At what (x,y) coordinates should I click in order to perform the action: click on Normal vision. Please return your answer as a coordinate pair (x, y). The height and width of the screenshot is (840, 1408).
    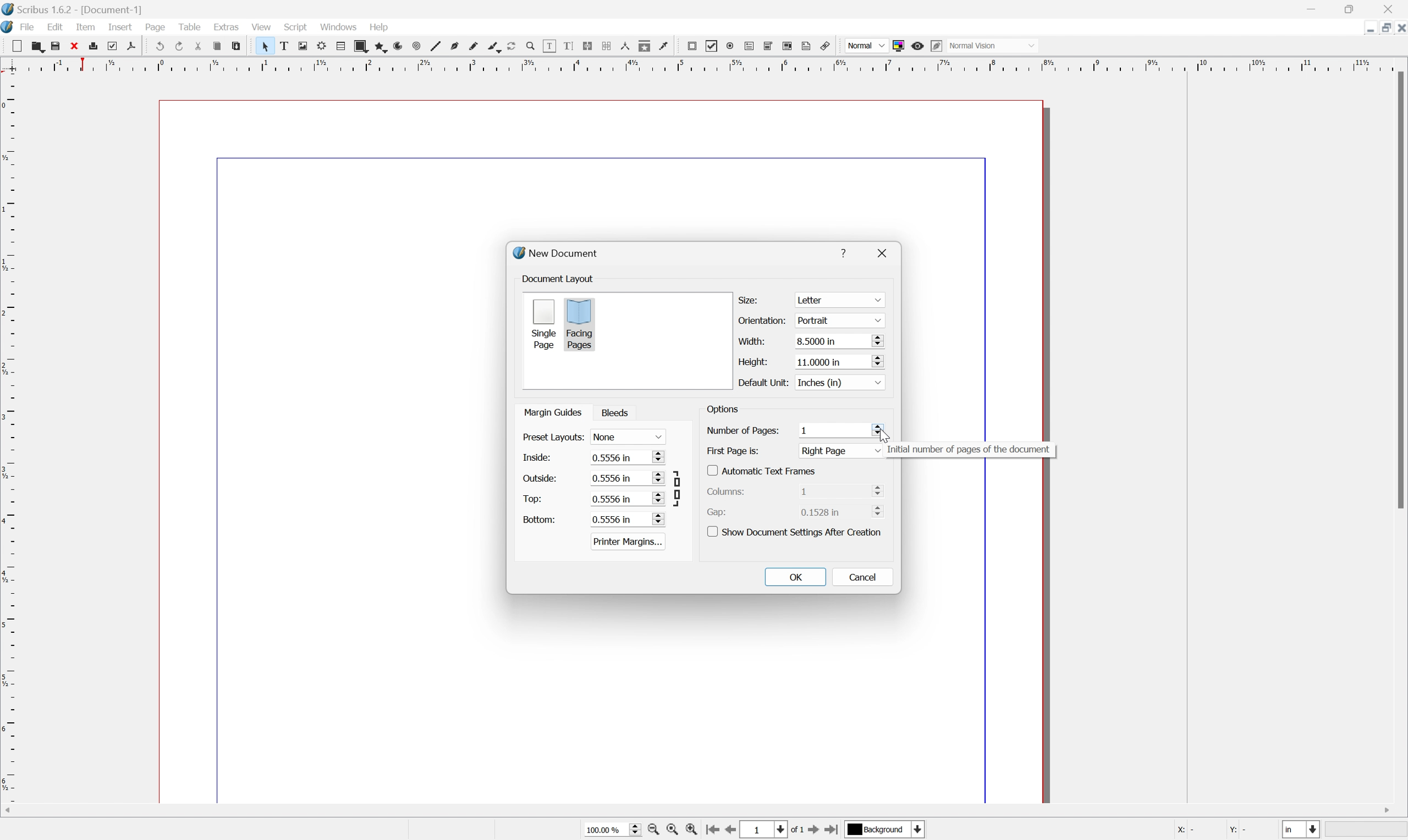
    Looking at the image, I should click on (997, 46).